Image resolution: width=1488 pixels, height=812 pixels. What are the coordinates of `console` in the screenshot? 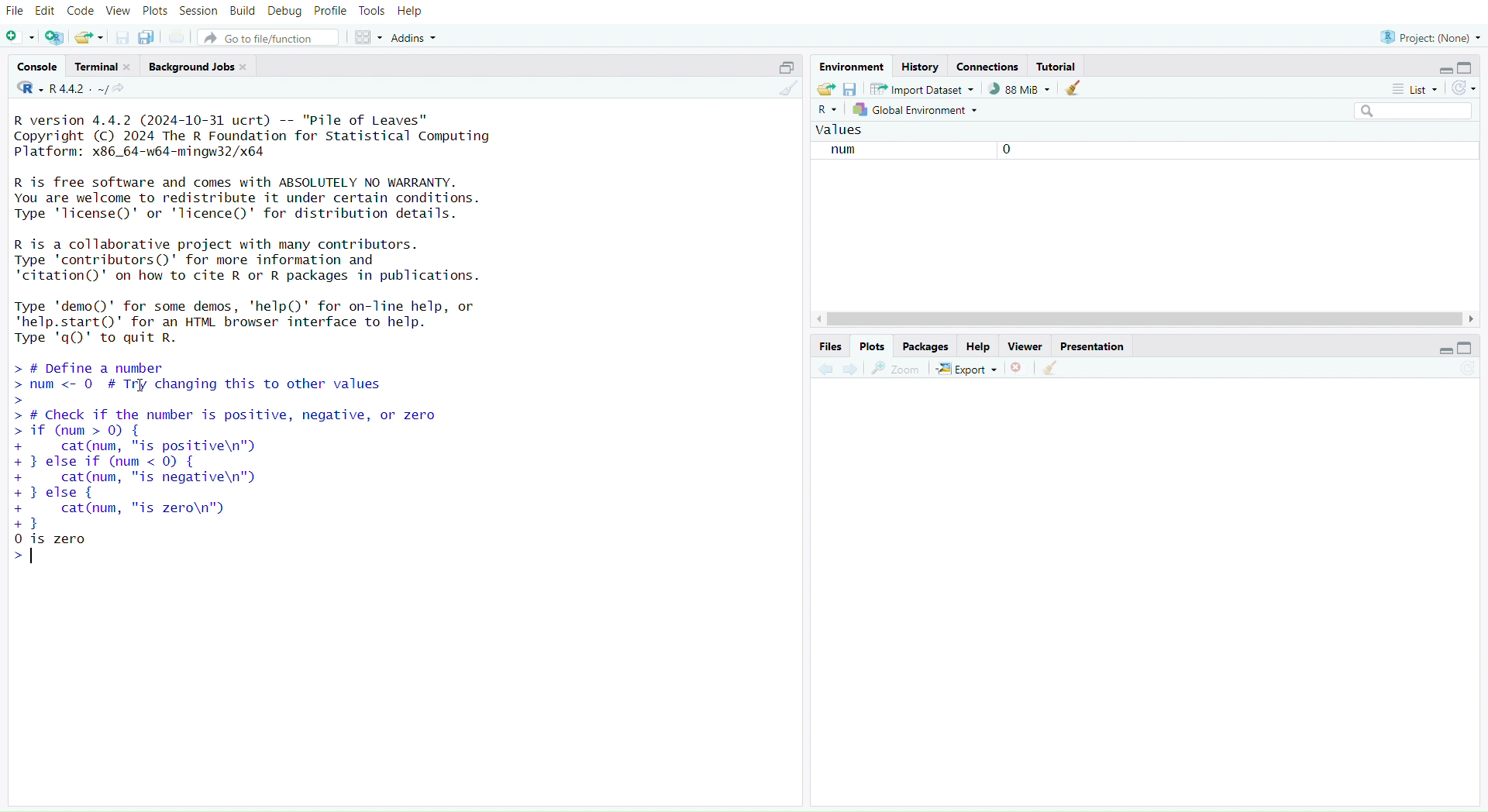 It's located at (38, 67).